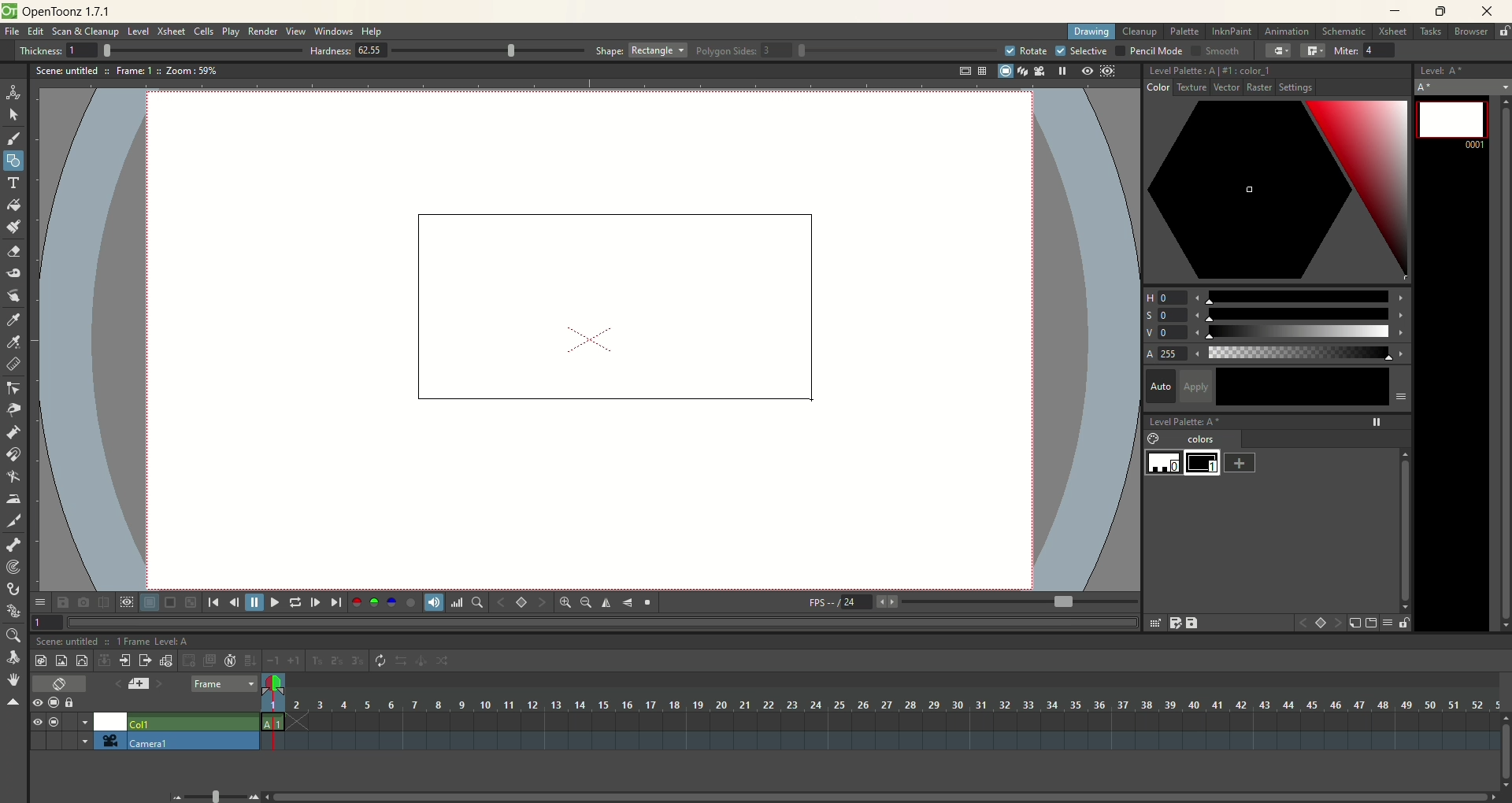 This screenshot has width=1512, height=803. What do you see at coordinates (13, 225) in the screenshot?
I see `paint brush tool` at bounding box center [13, 225].